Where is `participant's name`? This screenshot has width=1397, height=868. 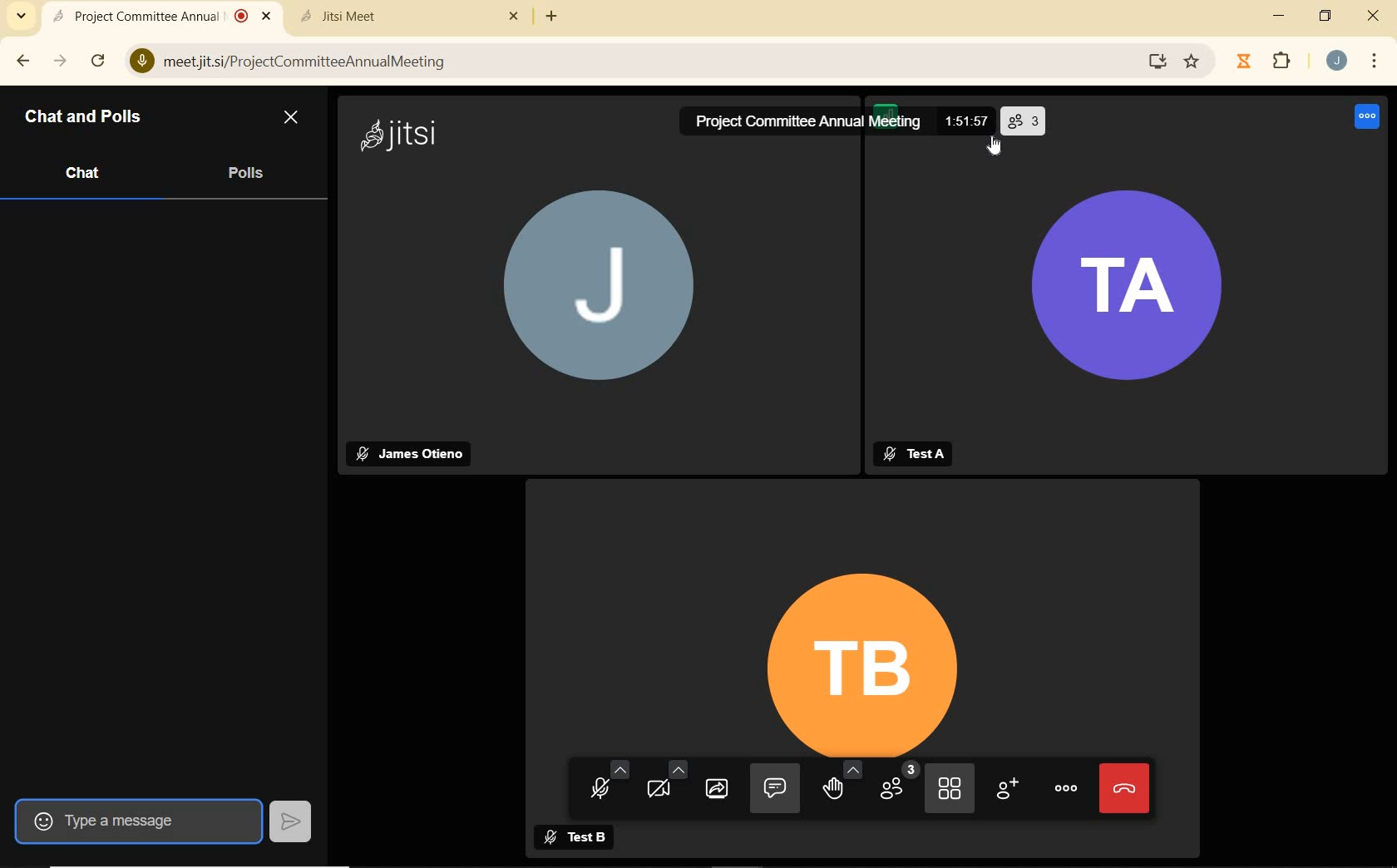
participant's name is located at coordinates (416, 450).